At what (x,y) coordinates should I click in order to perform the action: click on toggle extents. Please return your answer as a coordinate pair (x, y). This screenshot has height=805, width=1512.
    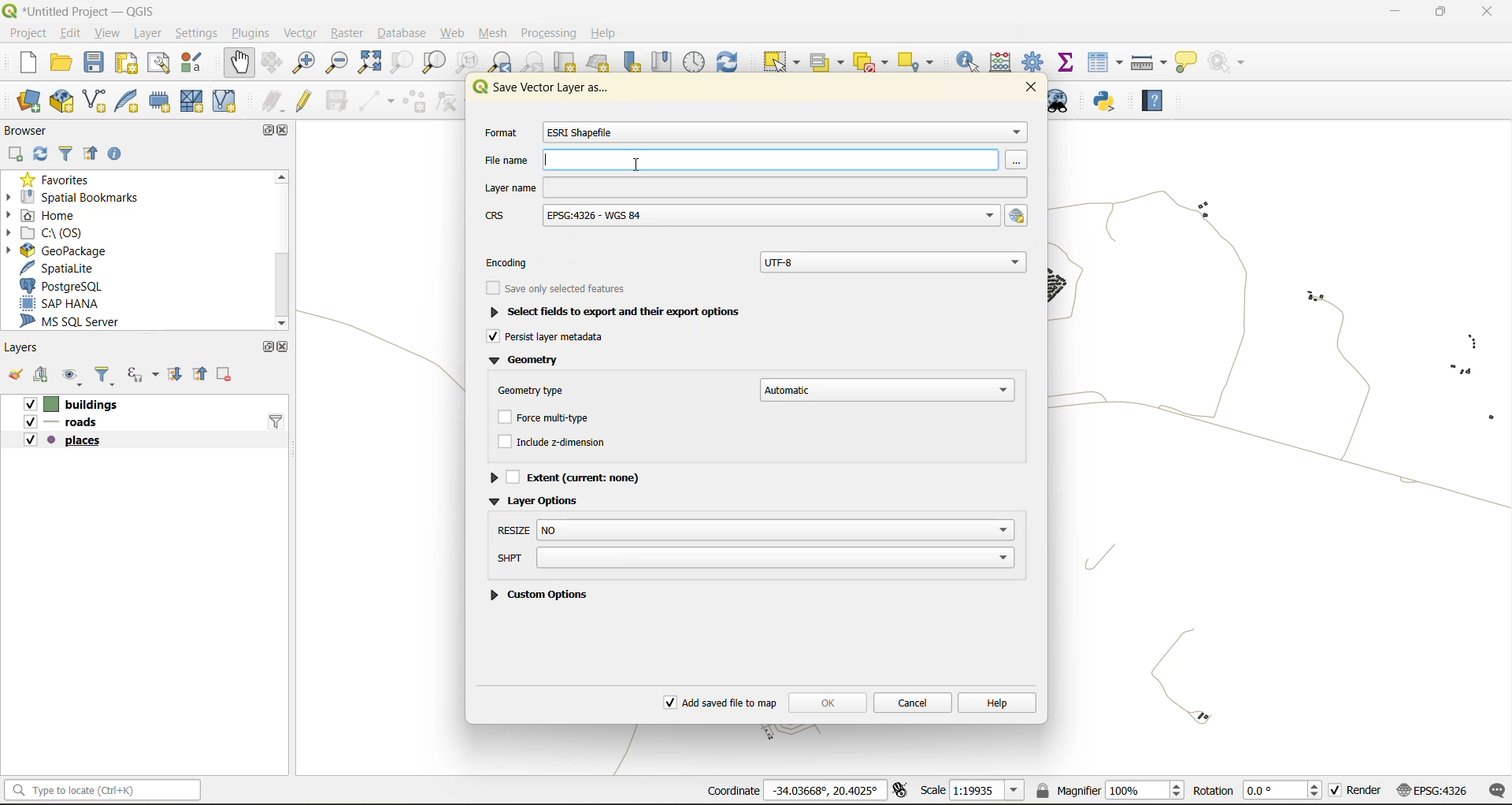
    Looking at the image, I should click on (902, 790).